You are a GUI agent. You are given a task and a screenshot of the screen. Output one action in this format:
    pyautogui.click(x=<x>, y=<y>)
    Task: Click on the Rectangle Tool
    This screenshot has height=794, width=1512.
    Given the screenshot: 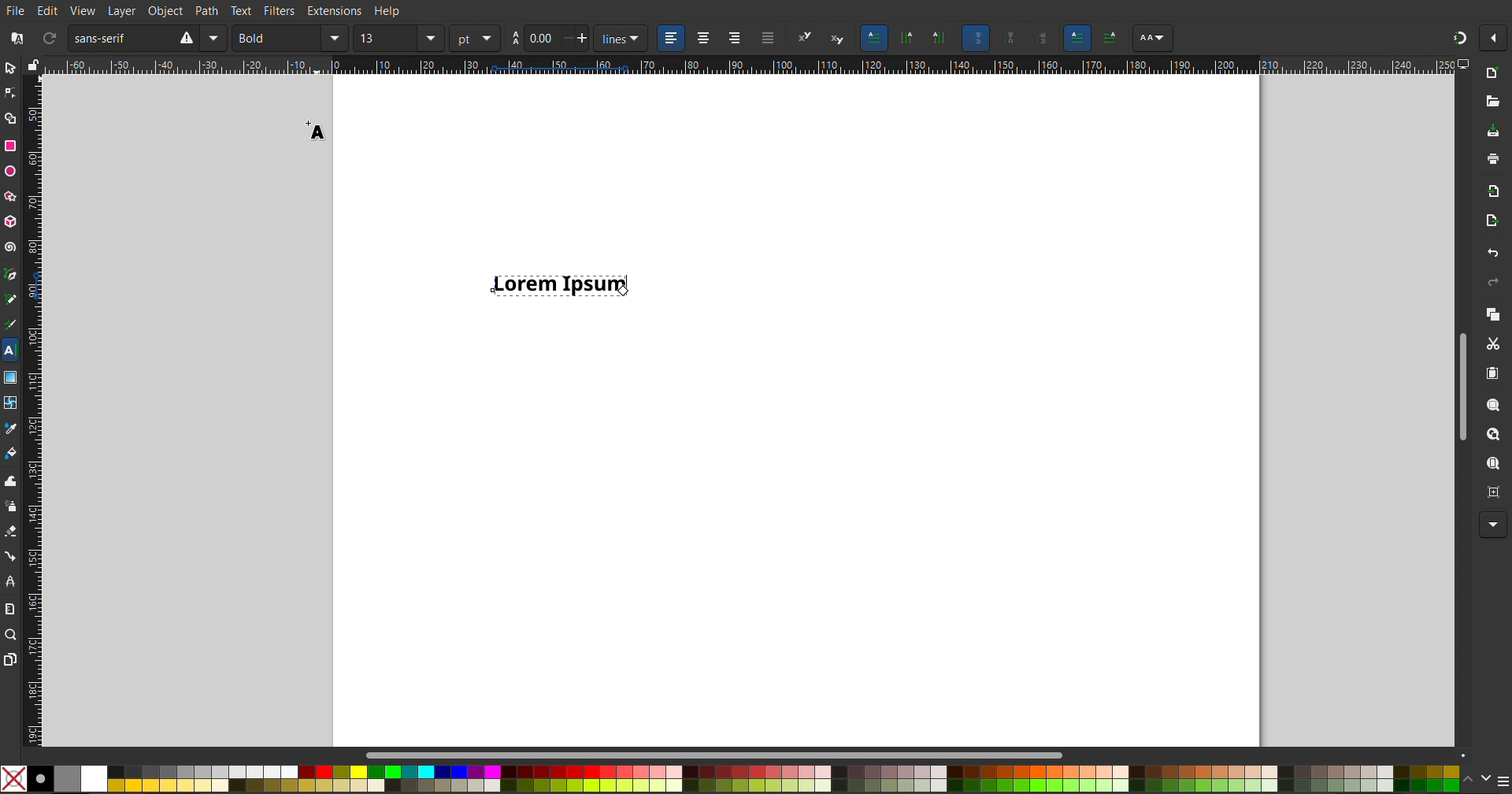 What is the action you would take?
    pyautogui.click(x=11, y=147)
    